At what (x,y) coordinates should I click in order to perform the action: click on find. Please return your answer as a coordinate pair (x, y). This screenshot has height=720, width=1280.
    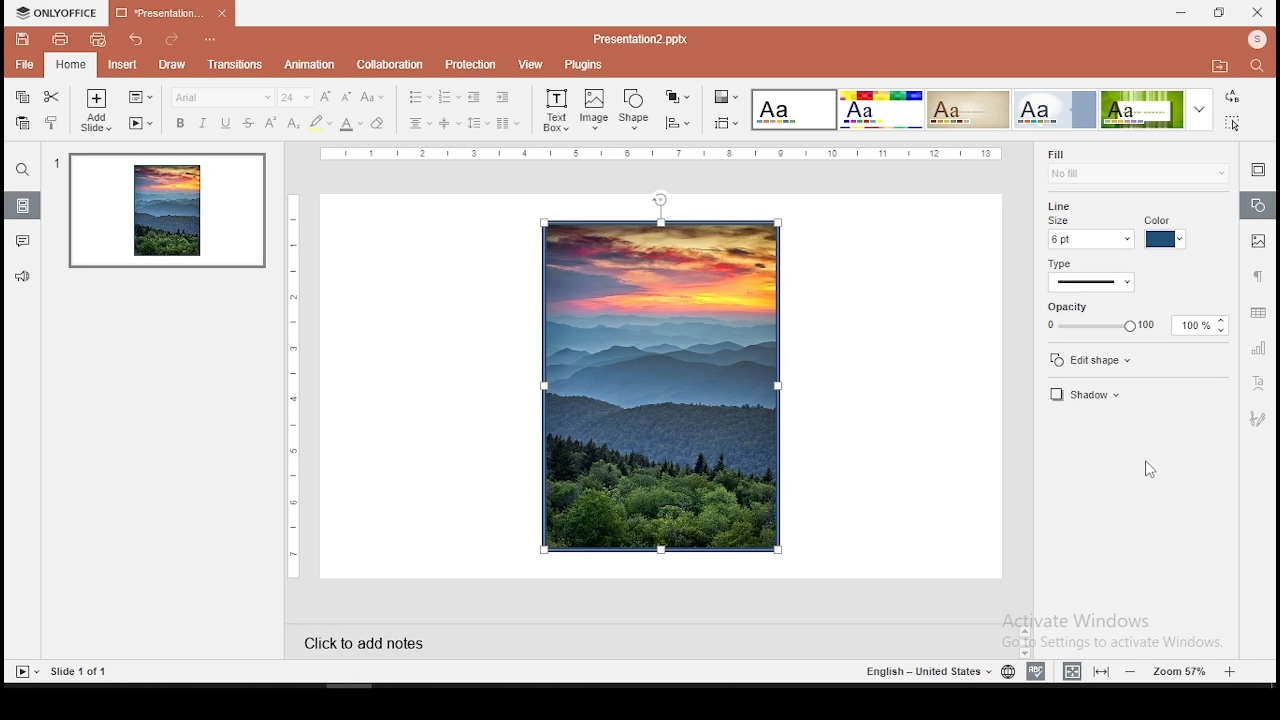
    Looking at the image, I should click on (24, 171).